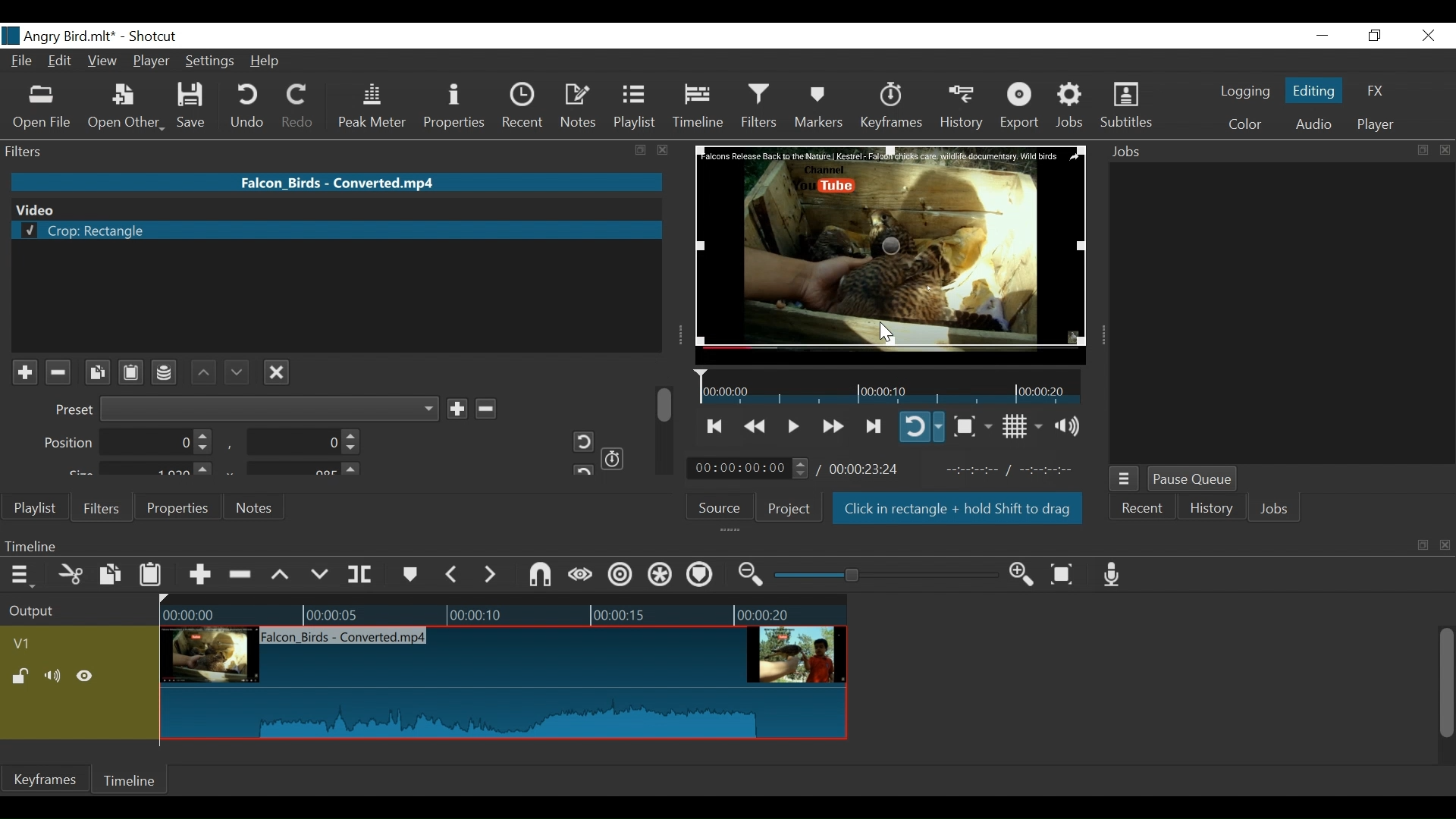 Image resolution: width=1456 pixels, height=819 pixels. Describe the element at coordinates (890, 386) in the screenshot. I see `Timeline` at that location.